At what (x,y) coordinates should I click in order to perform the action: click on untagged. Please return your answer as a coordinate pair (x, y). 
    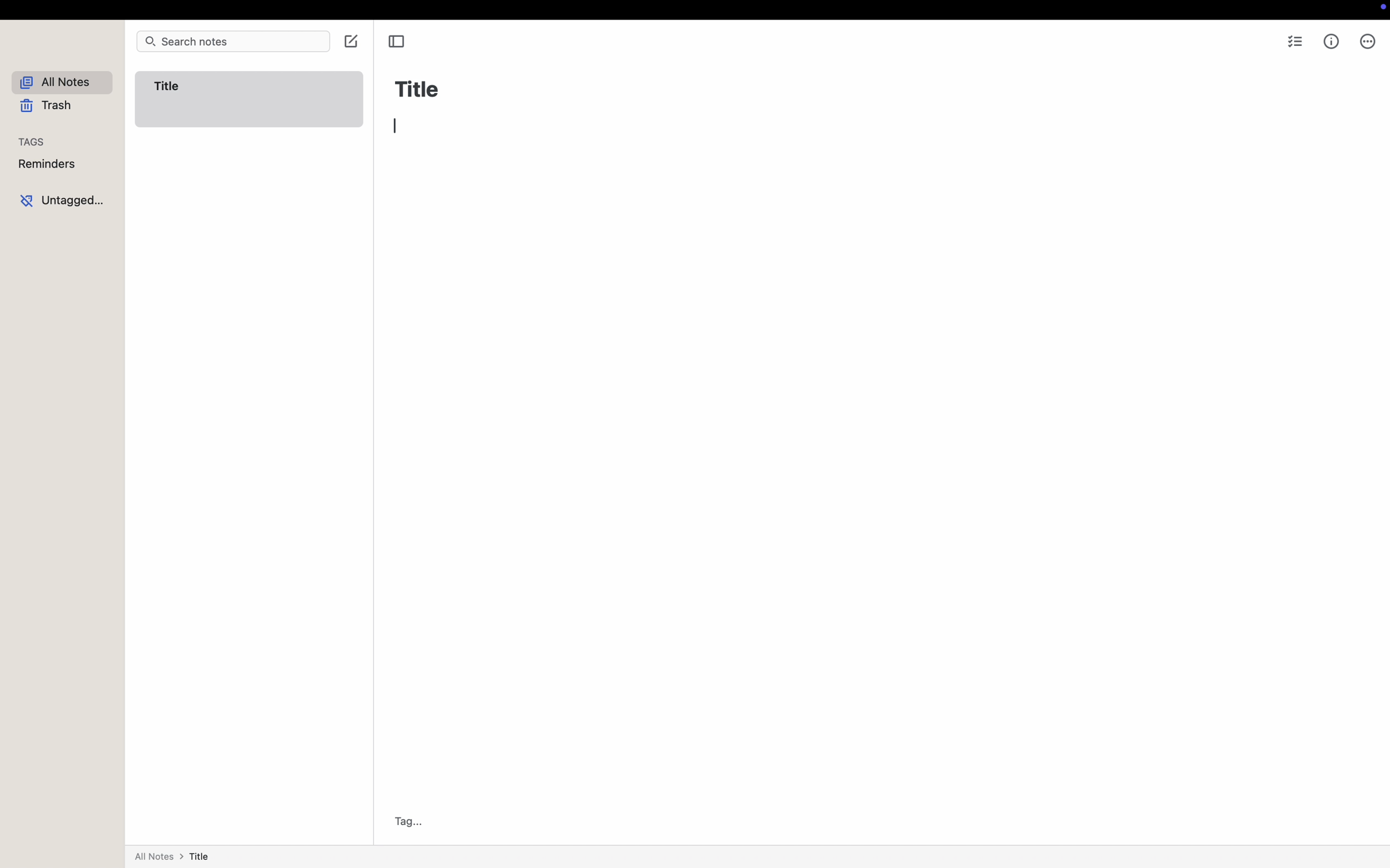
    Looking at the image, I should click on (61, 199).